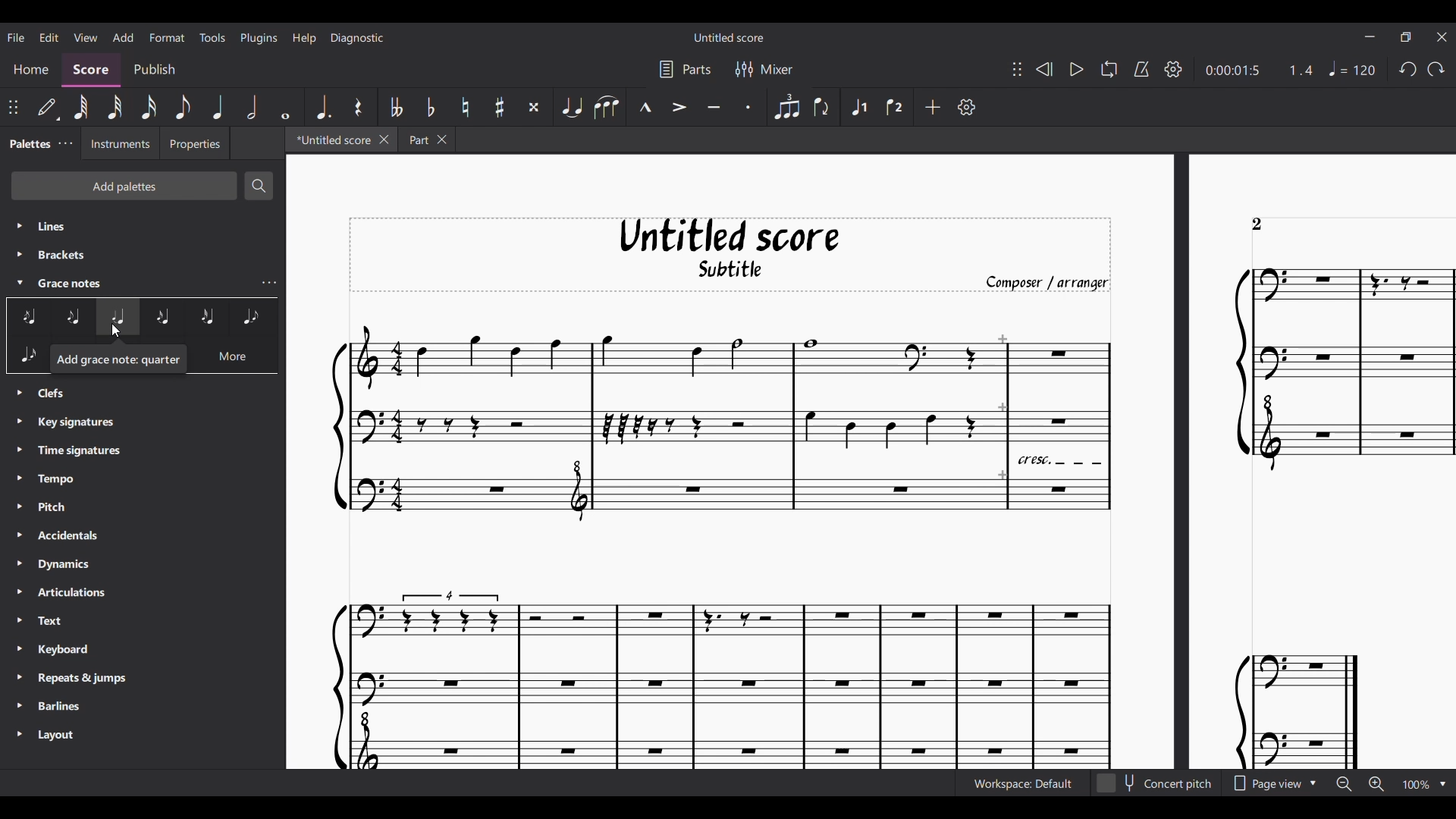  Describe the element at coordinates (124, 37) in the screenshot. I see `Add menu` at that location.